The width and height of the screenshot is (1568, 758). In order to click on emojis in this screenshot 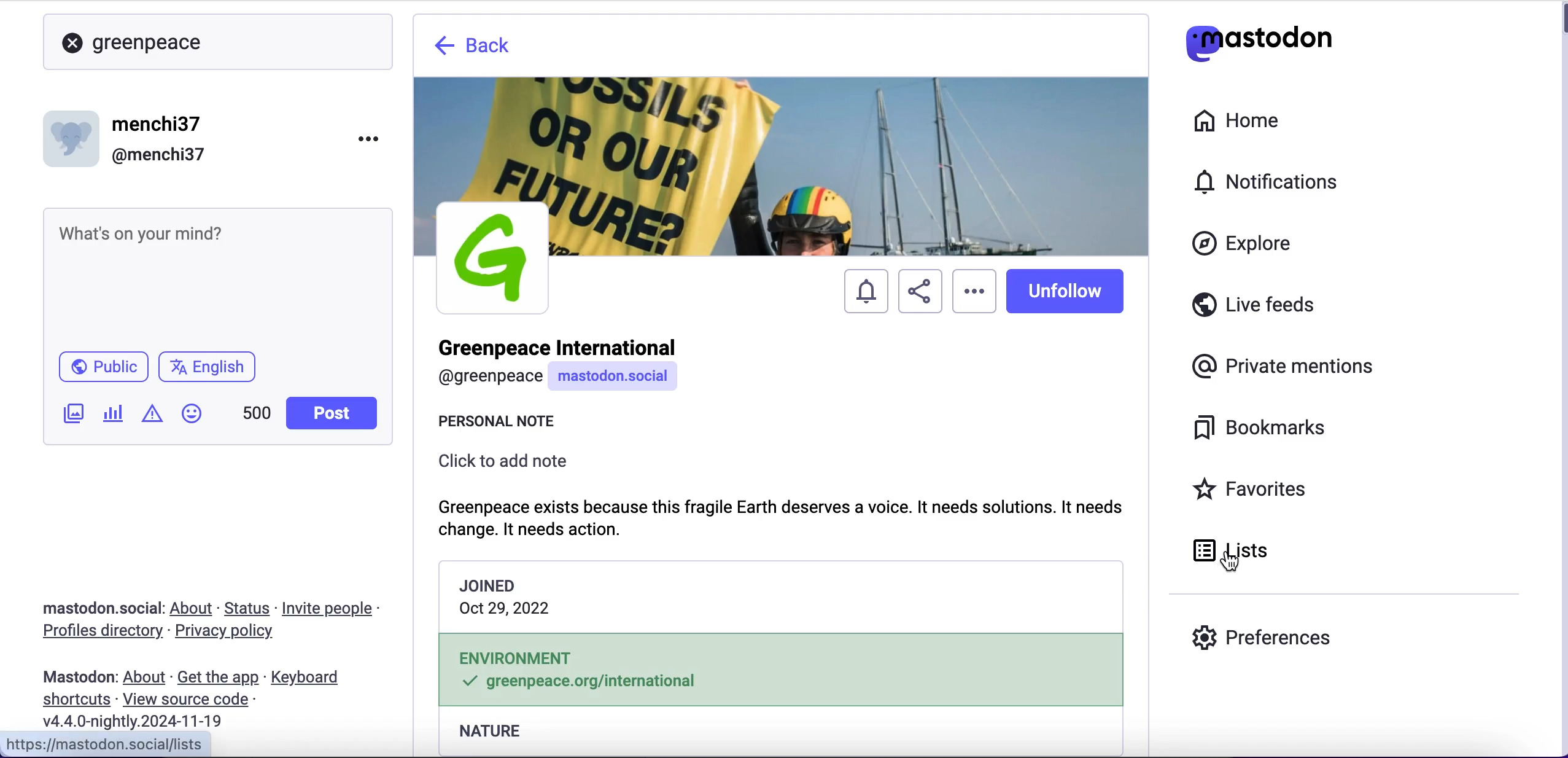, I will do `click(197, 420)`.